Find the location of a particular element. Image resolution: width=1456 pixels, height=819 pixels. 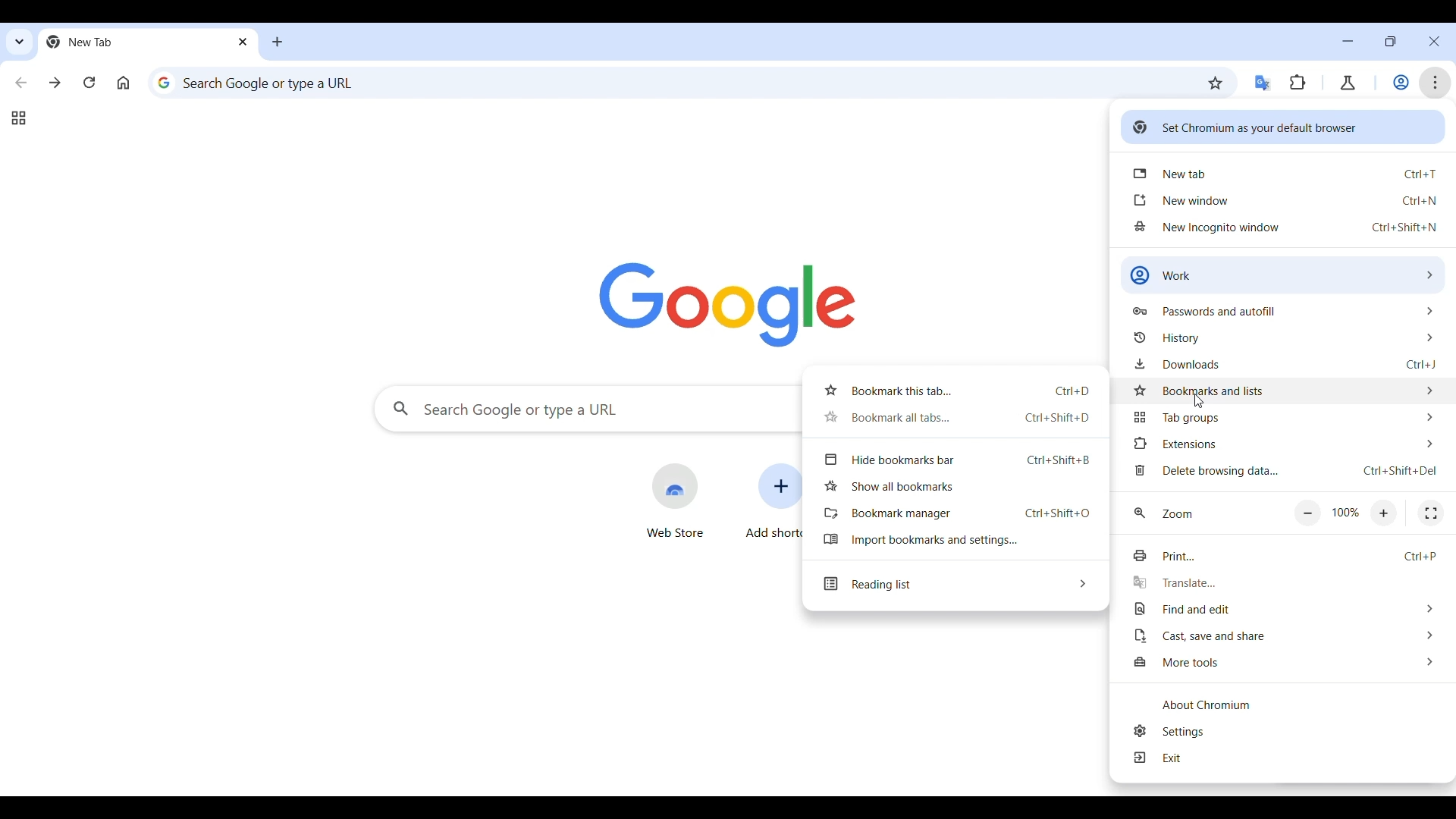

Downloads is located at coordinates (1285, 363).